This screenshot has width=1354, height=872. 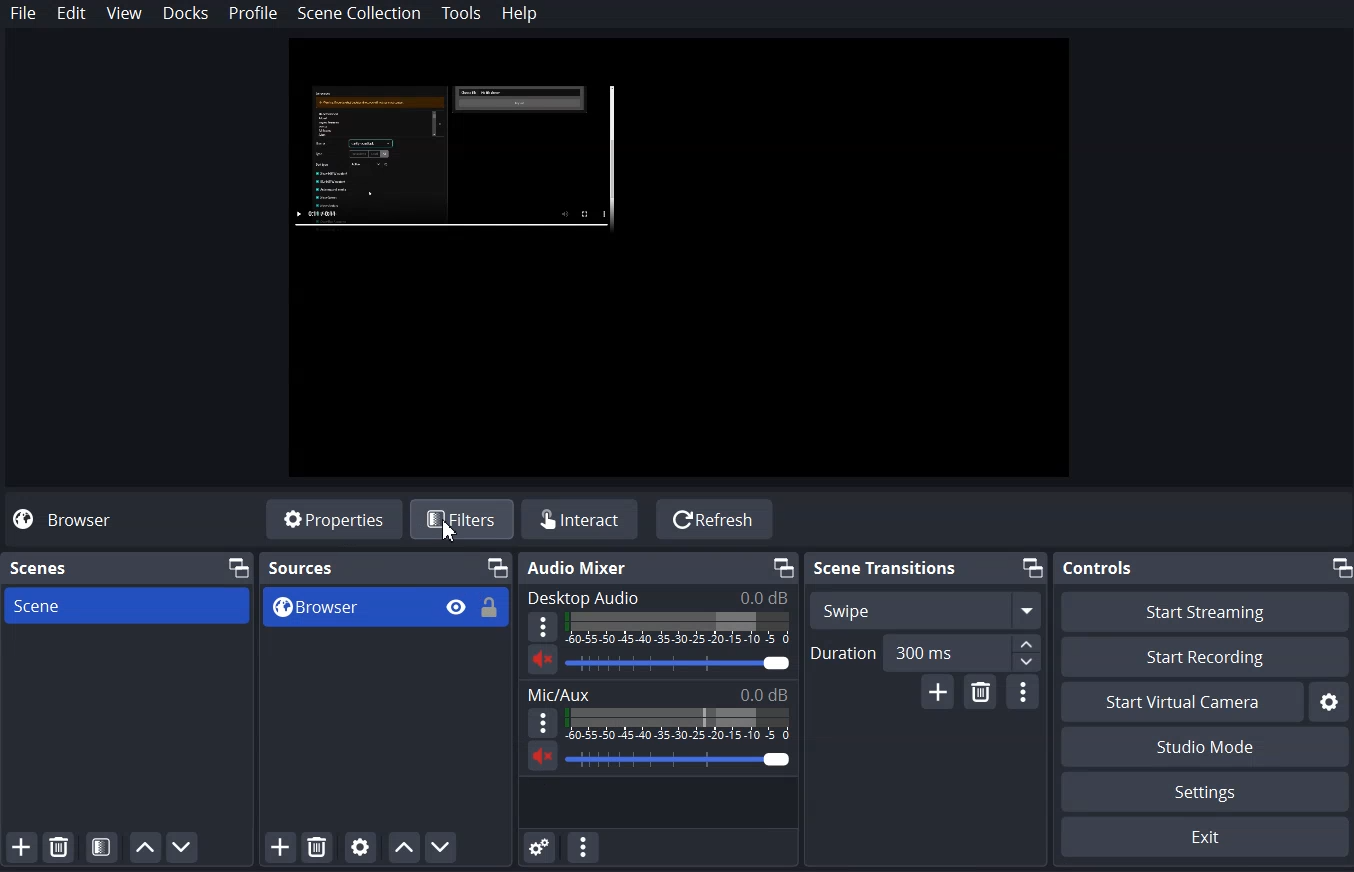 I want to click on Swipe, so click(x=926, y=610).